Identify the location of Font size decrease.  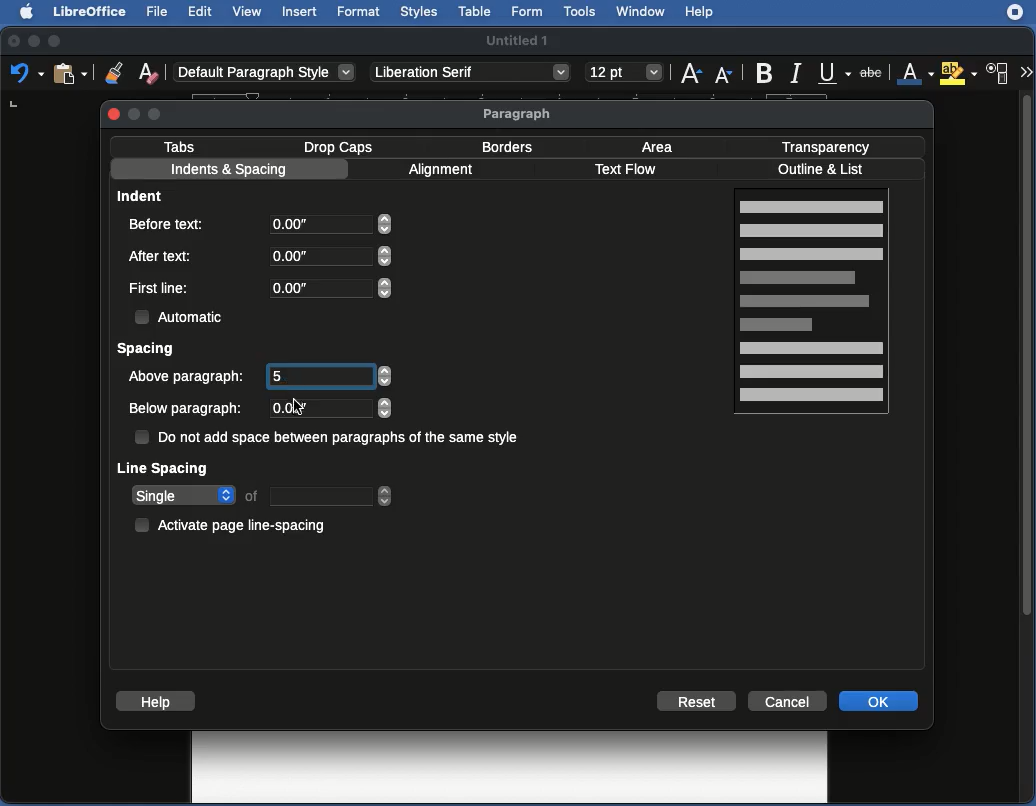
(726, 75).